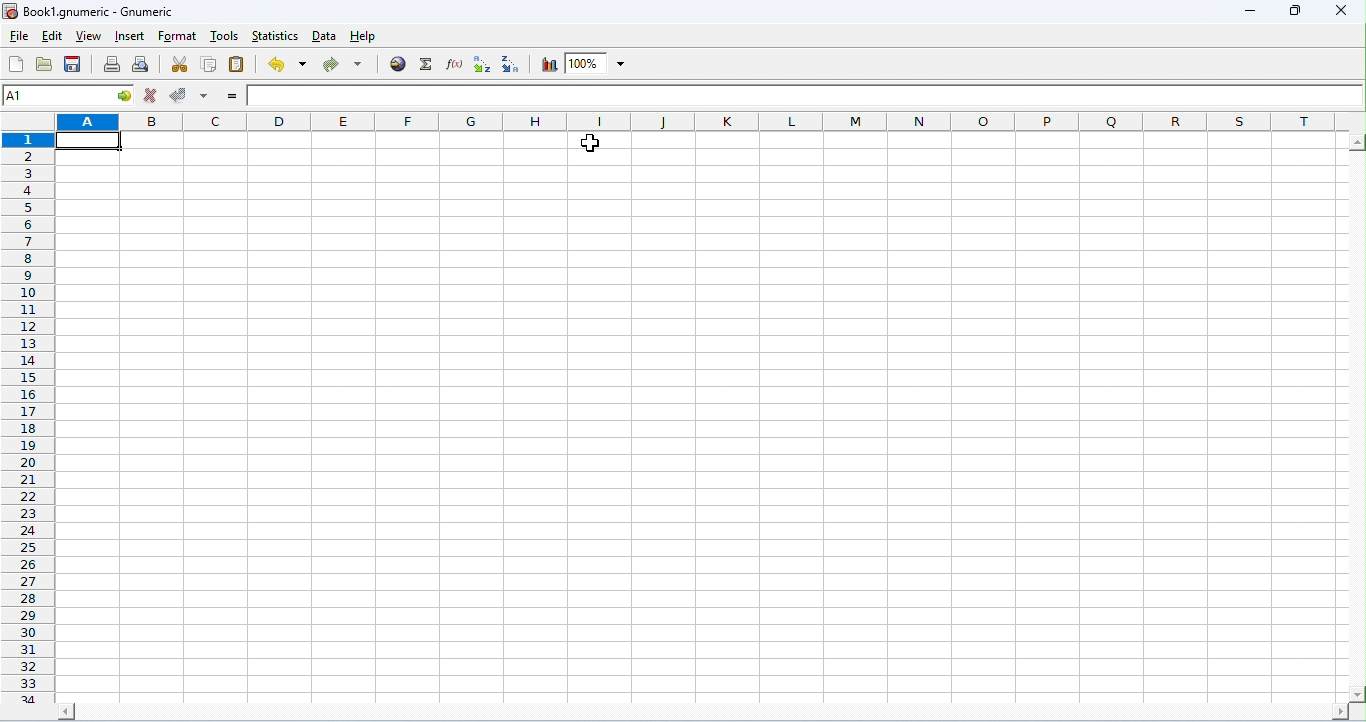  Describe the element at coordinates (91, 140) in the screenshot. I see `selected cell` at that location.